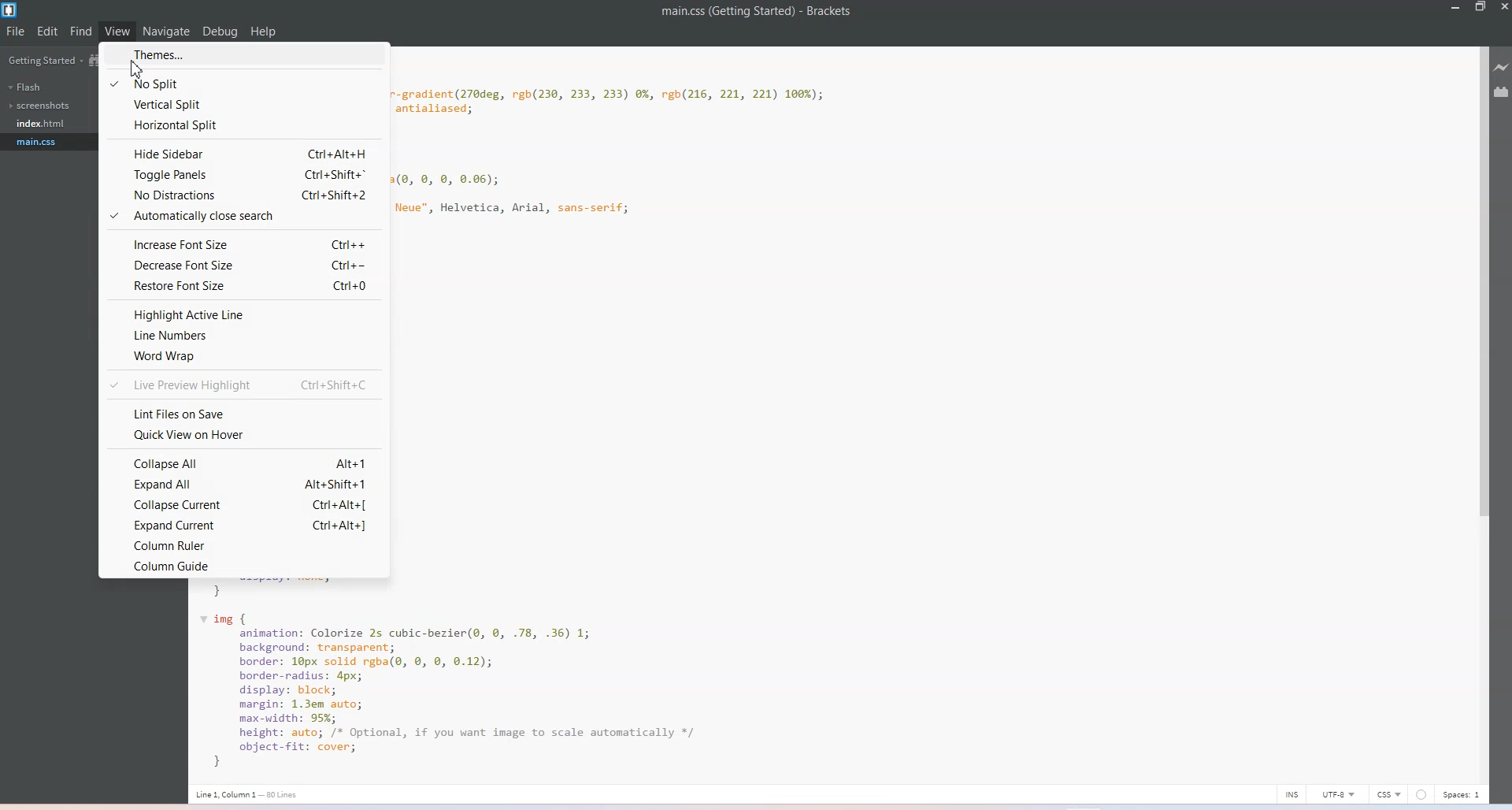 This screenshot has height=810, width=1512. Describe the element at coordinates (16, 32) in the screenshot. I see `File` at that location.